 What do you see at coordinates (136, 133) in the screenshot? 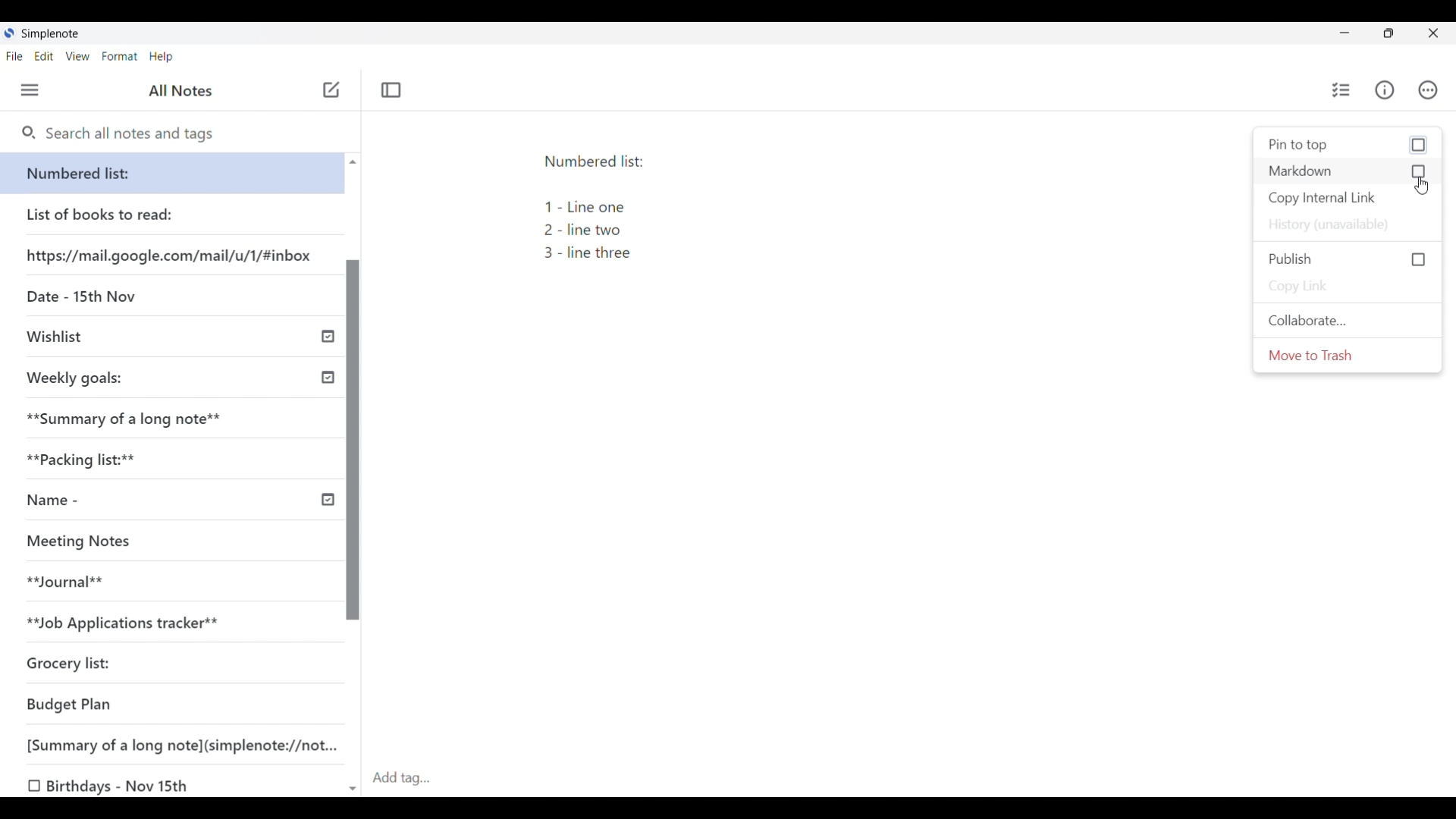
I see `Search notes and tags` at bounding box center [136, 133].